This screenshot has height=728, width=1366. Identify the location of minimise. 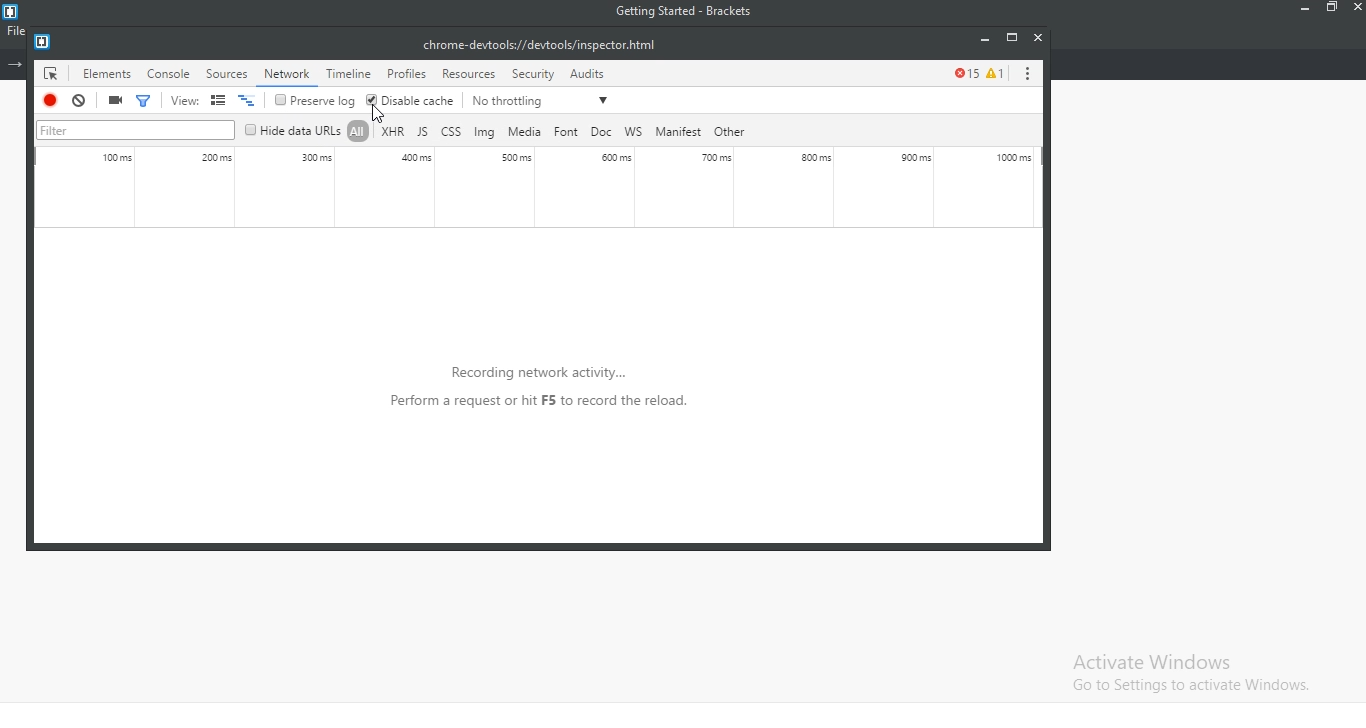
(982, 39).